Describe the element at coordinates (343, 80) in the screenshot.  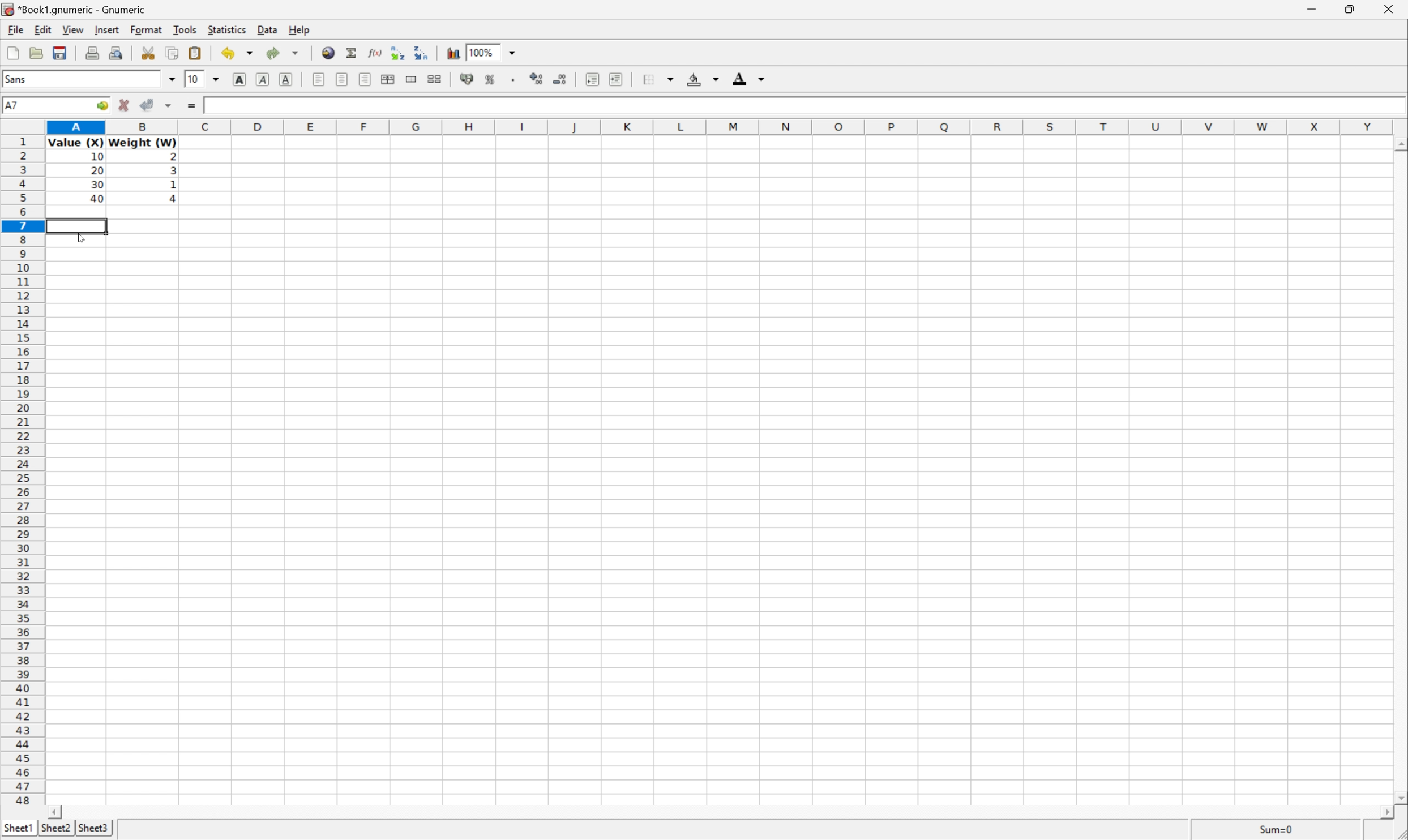
I see `Center horizontally` at that location.